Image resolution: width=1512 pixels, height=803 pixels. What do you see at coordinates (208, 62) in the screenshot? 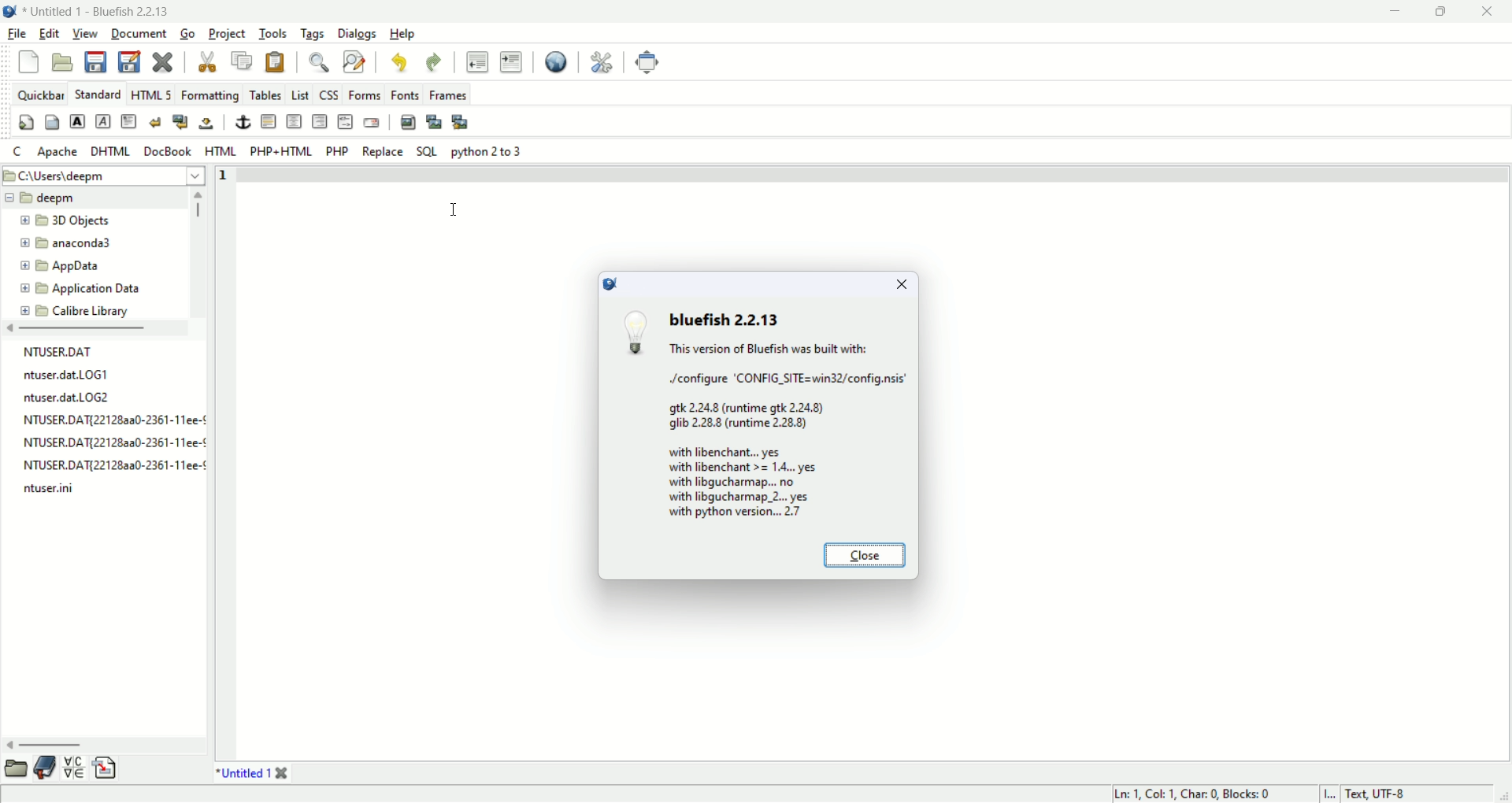
I see `cut` at bounding box center [208, 62].